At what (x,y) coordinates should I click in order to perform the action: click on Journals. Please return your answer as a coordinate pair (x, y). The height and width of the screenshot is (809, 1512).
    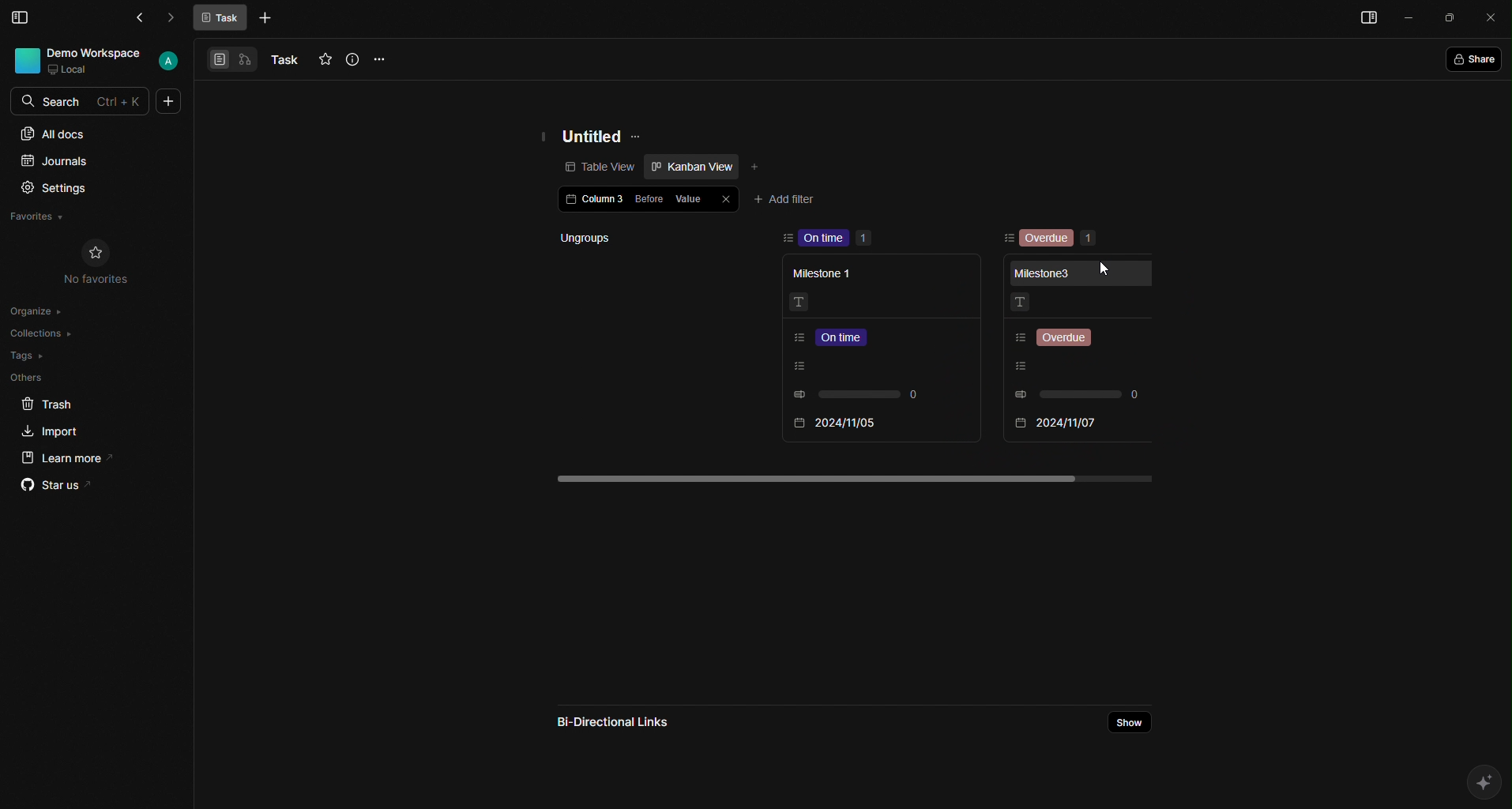
    Looking at the image, I should click on (55, 160).